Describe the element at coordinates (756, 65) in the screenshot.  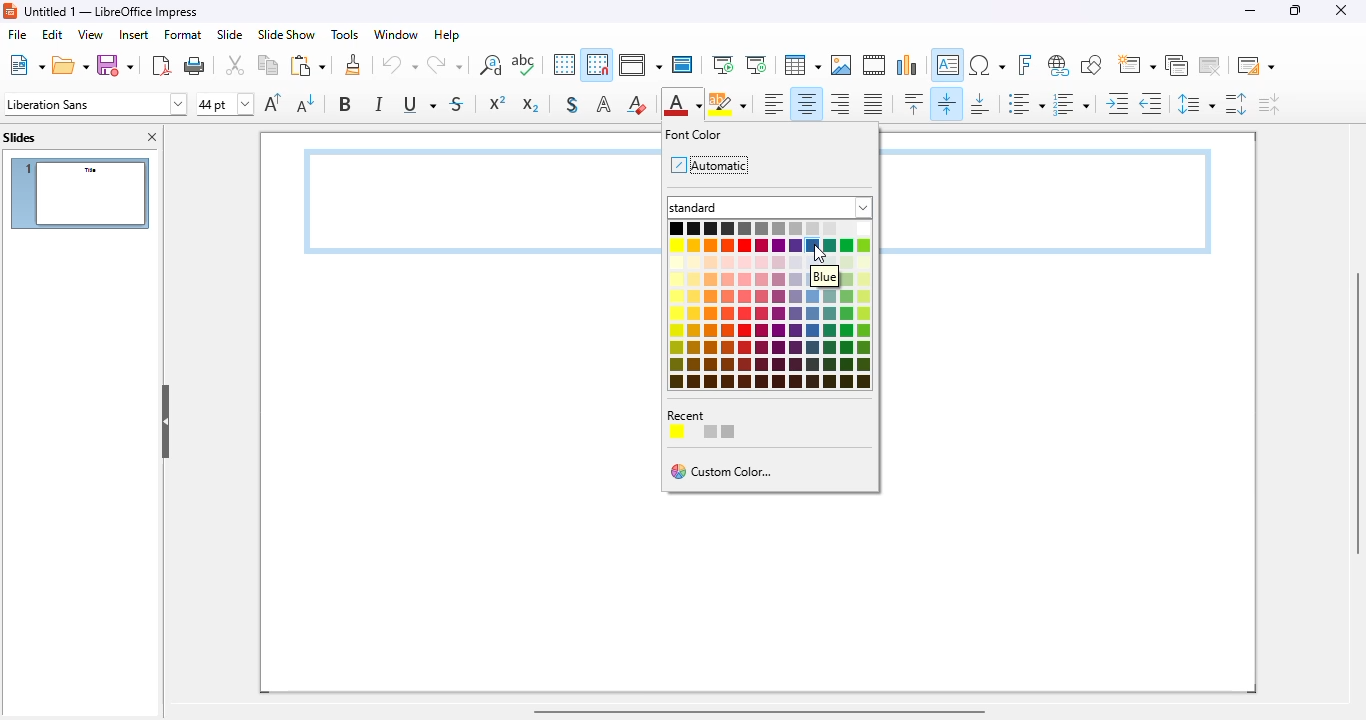
I see `start from current slide` at that location.